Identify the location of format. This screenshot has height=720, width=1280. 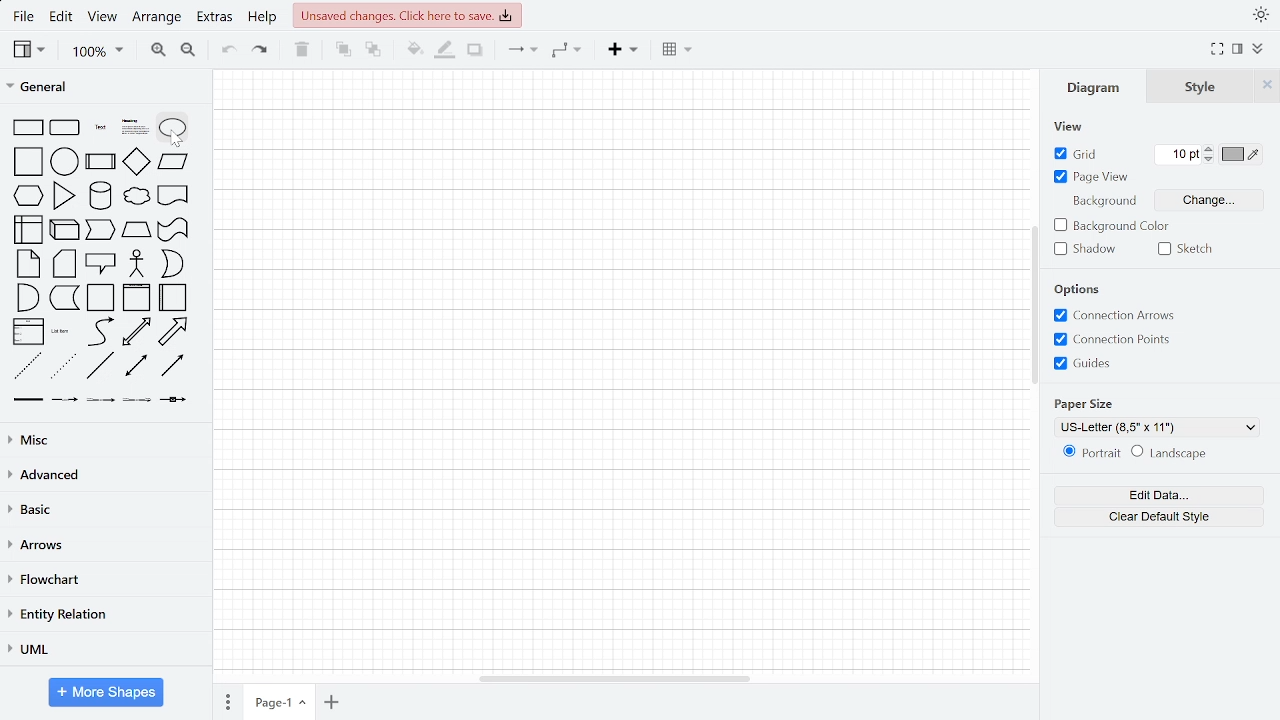
(1237, 49).